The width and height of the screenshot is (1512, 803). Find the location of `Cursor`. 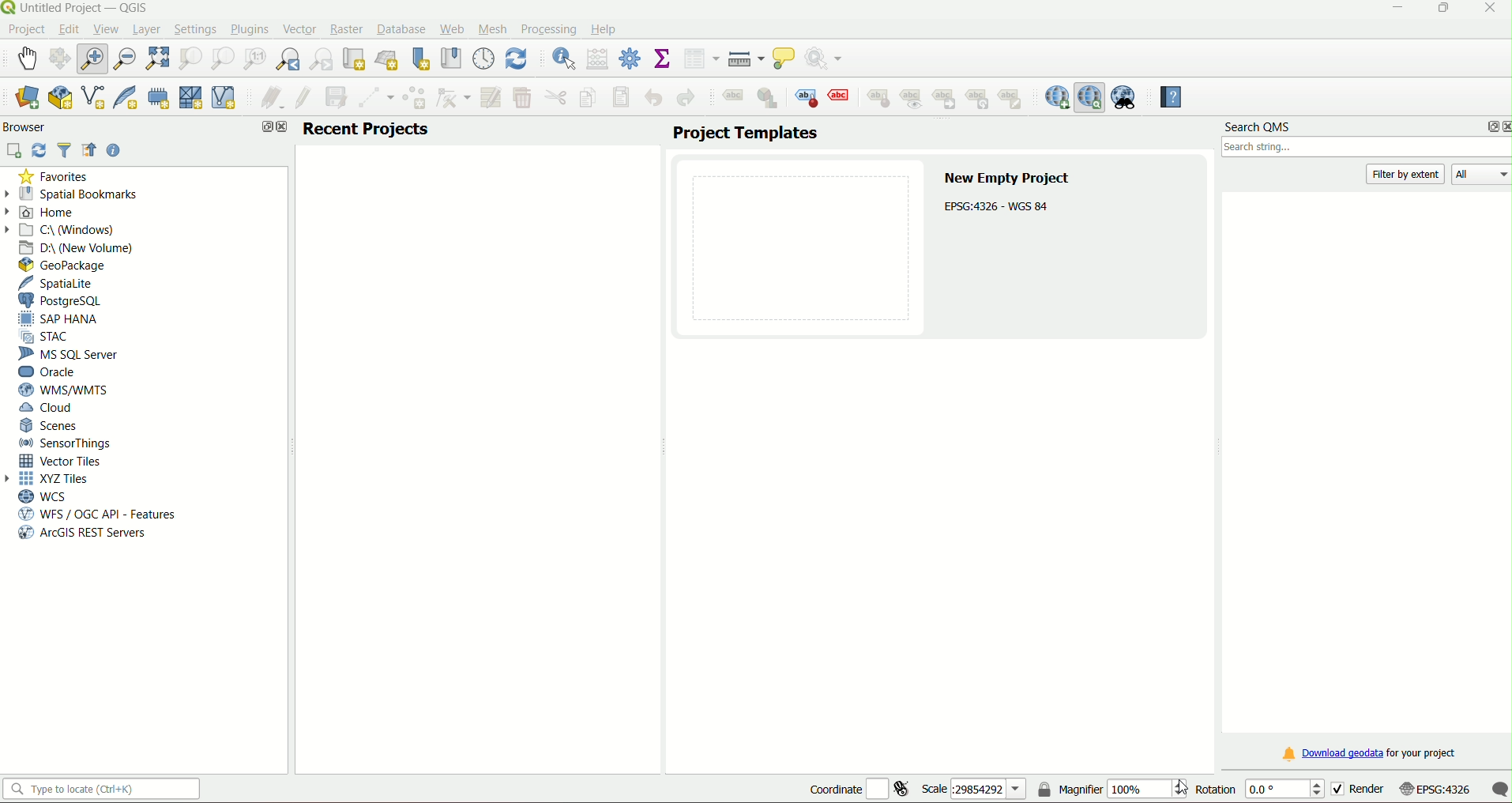

Cursor is located at coordinates (1187, 787).